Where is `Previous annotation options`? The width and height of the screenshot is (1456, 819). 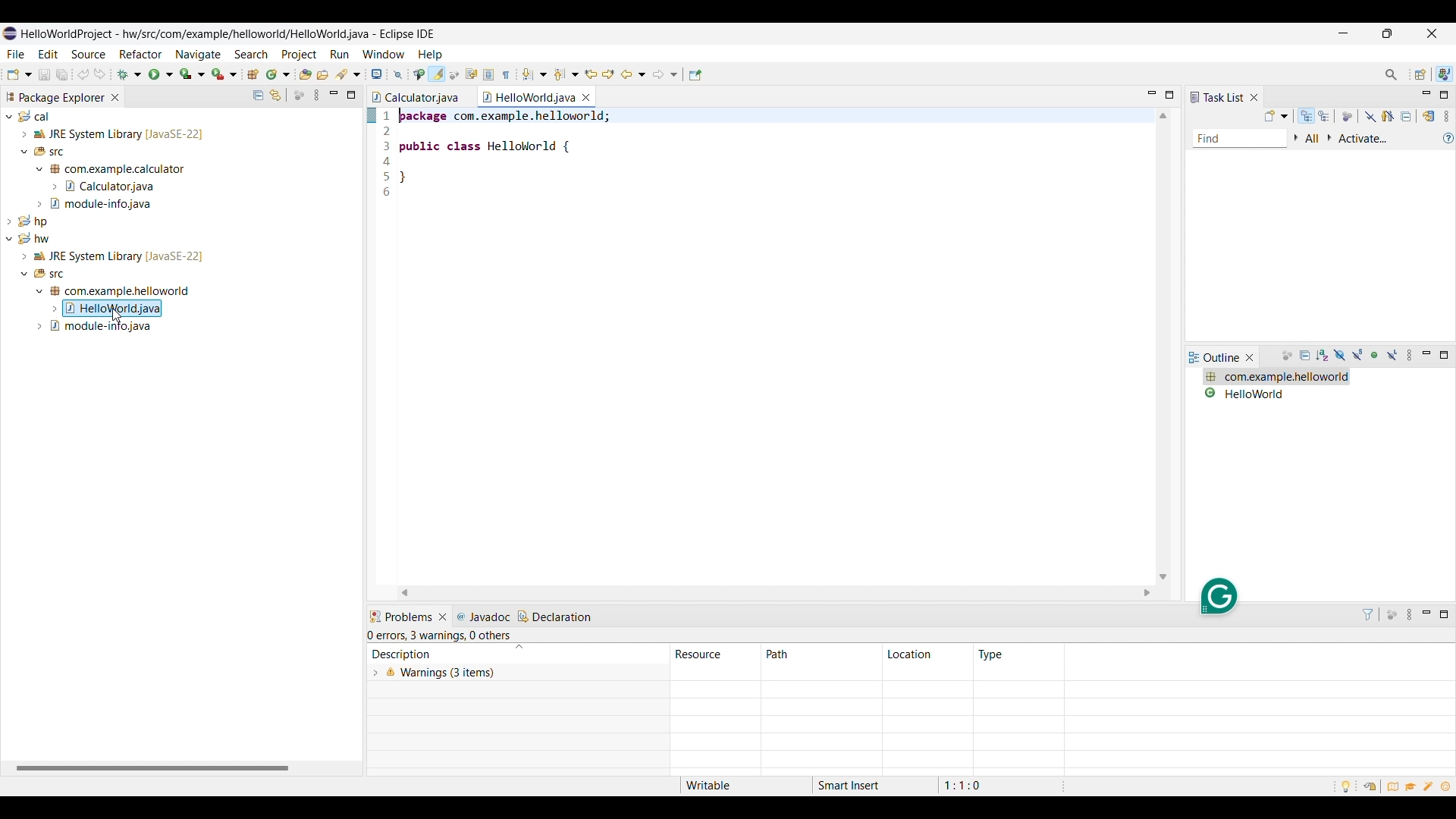 Previous annotation options is located at coordinates (566, 74).